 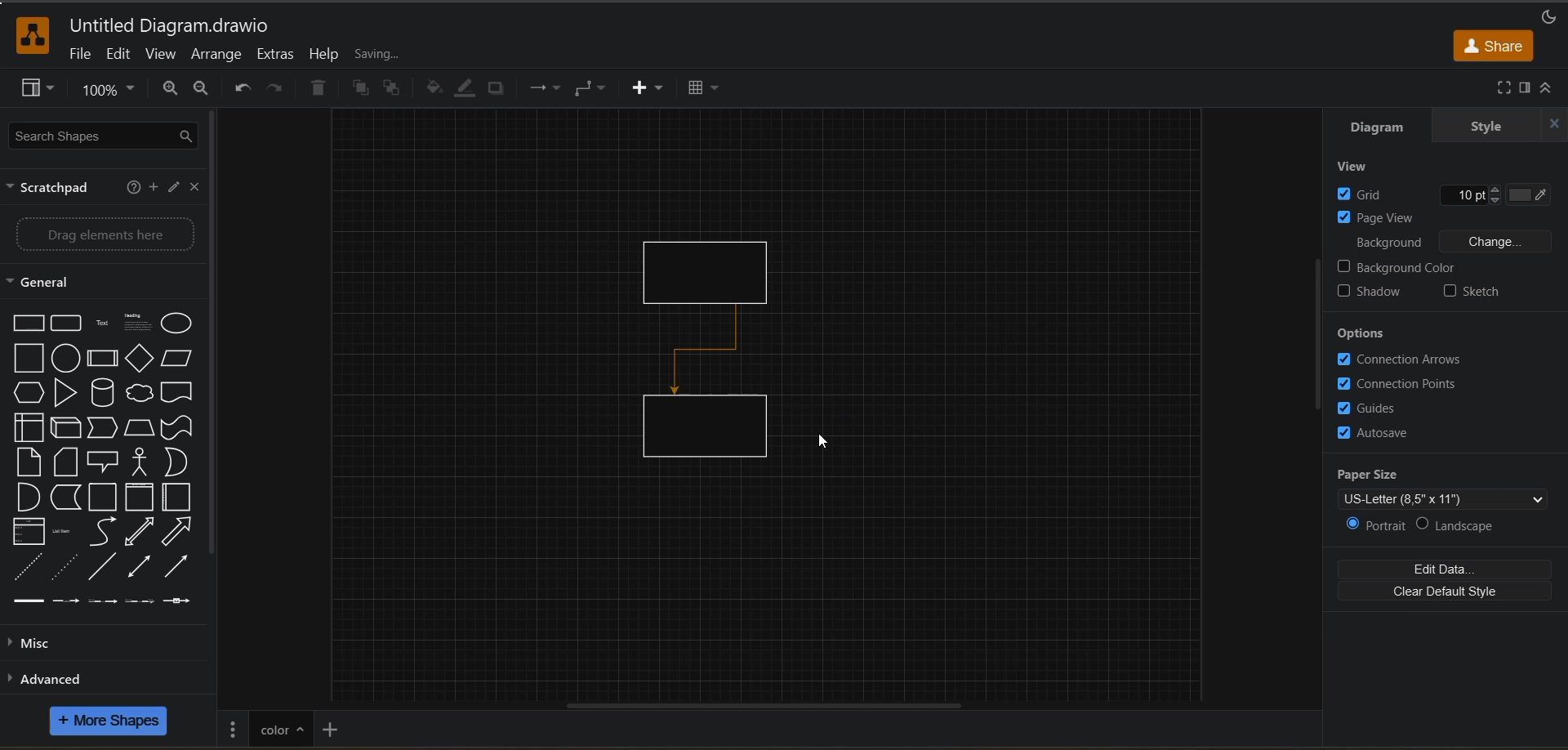 What do you see at coordinates (25, 323) in the screenshot?
I see `Rectangle` at bounding box center [25, 323].